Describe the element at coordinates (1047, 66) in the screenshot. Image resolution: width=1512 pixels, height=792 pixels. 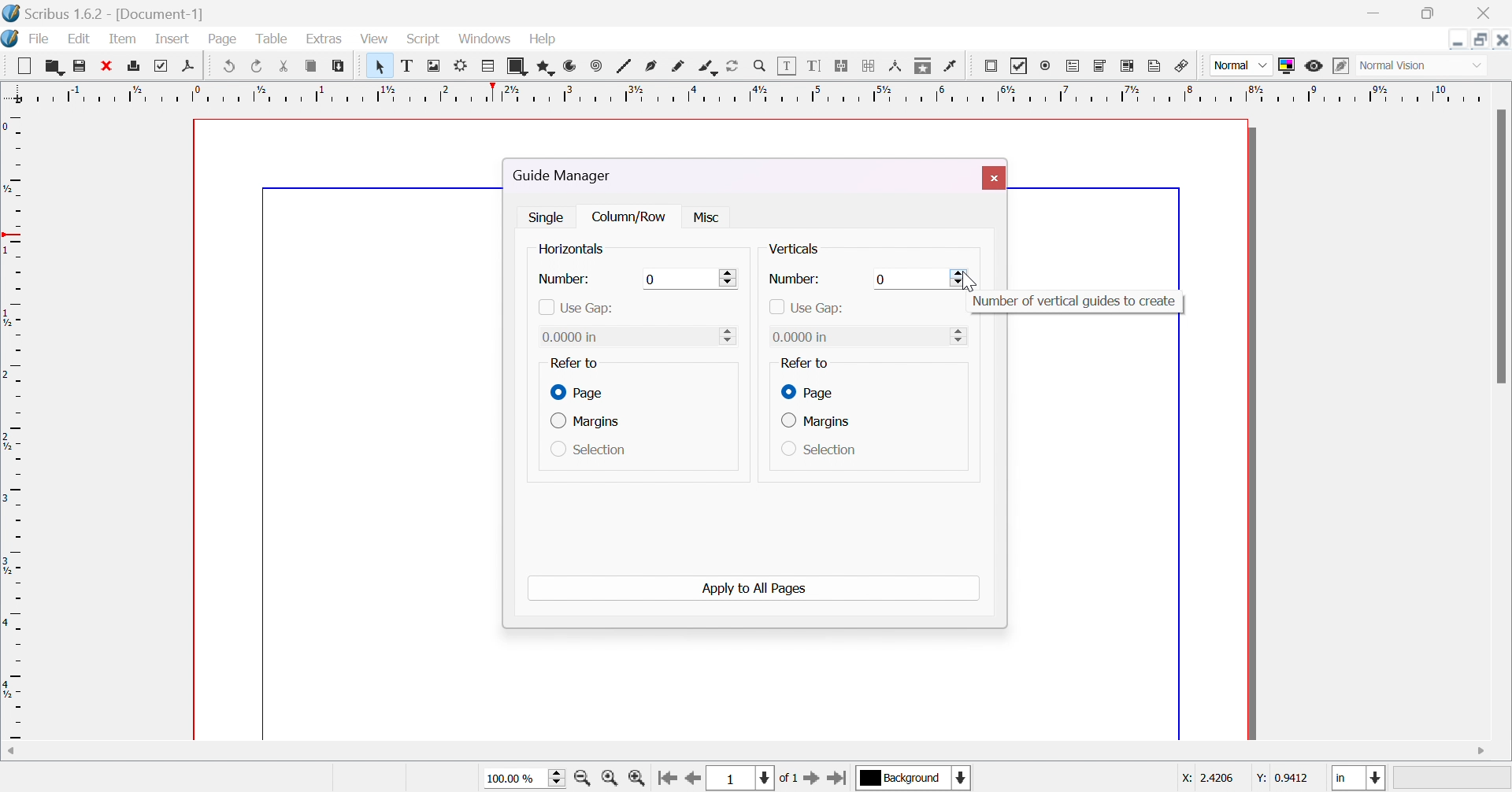
I see `PDF radio button` at that location.